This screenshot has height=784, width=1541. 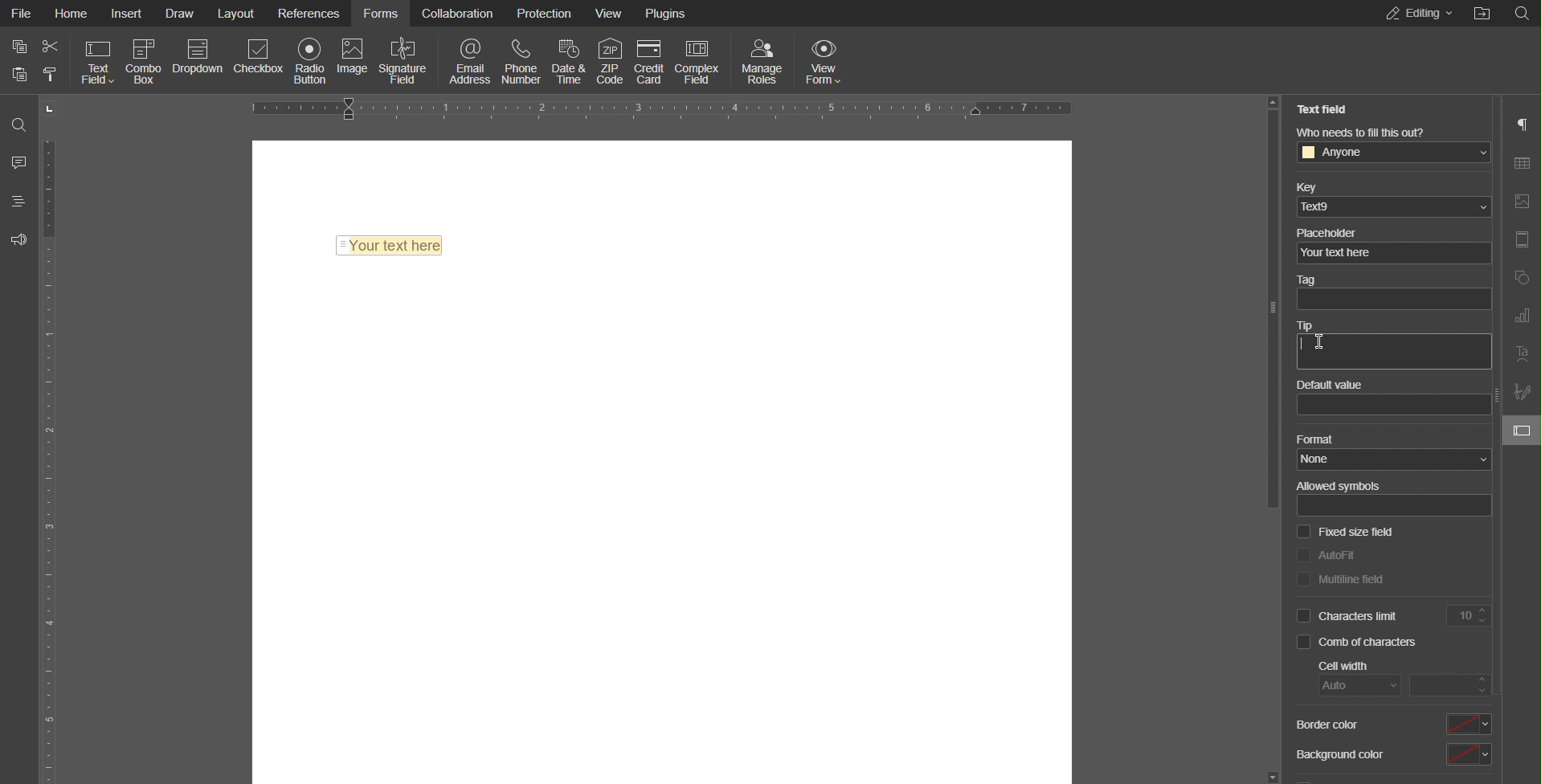 What do you see at coordinates (1340, 664) in the screenshot?
I see `Cell Width` at bounding box center [1340, 664].